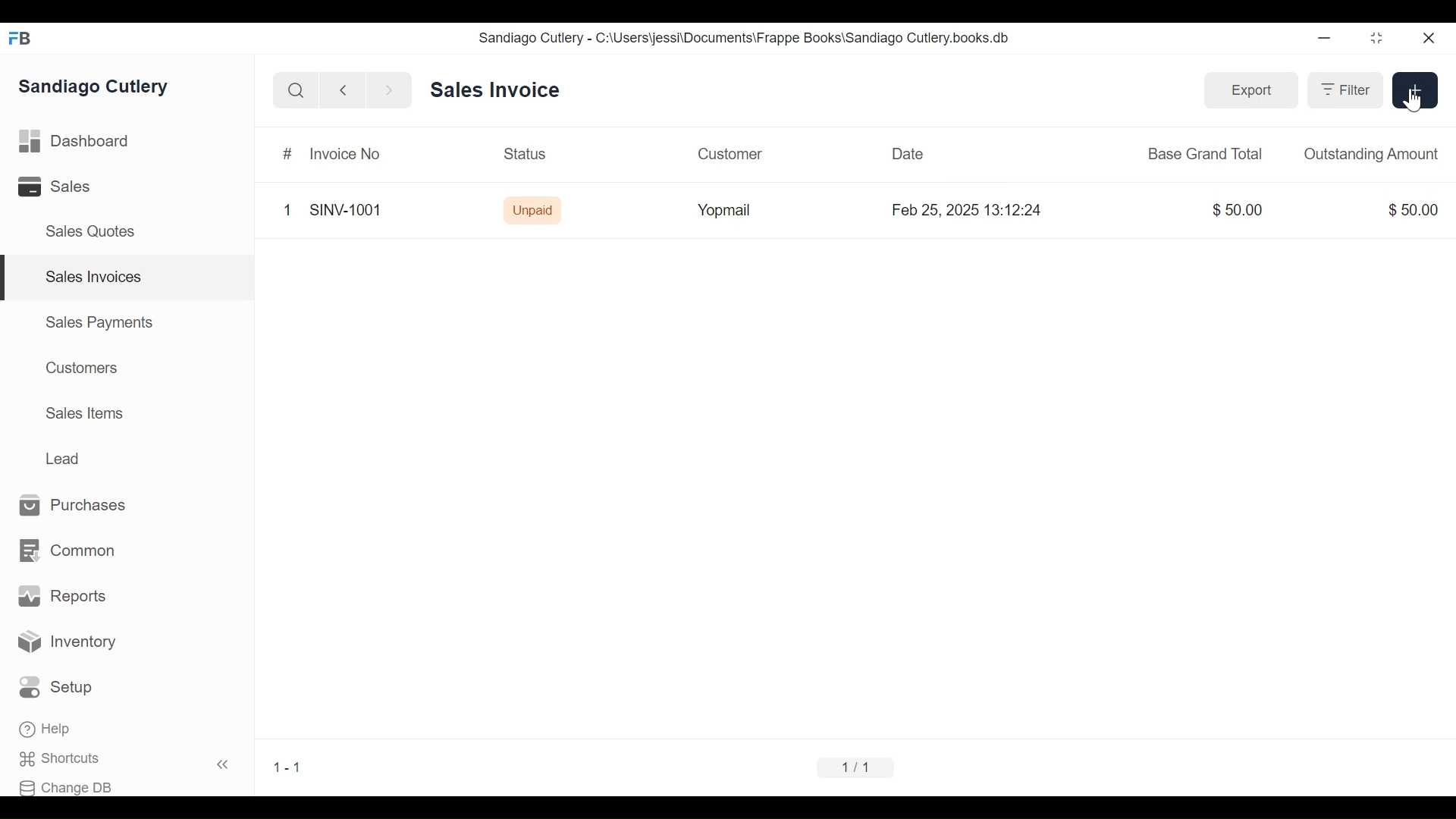 The width and height of the screenshot is (1456, 819). What do you see at coordinates (1348, 91) in the screenshot?
I see ` Filter` at bounding box center [1348, 91].